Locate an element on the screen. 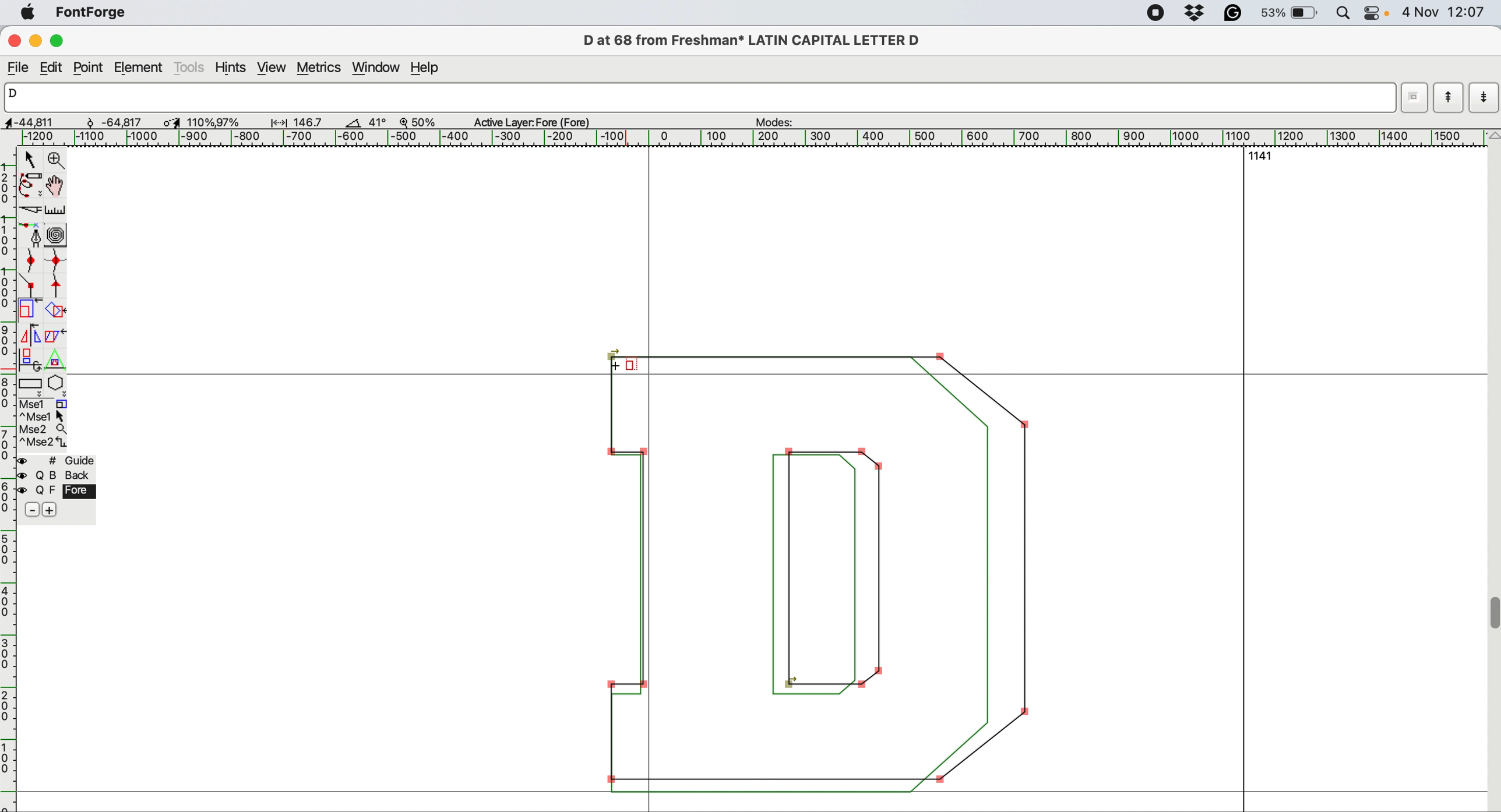 This screenshot has width=1501, height=812. remove is located at coordinates (29, 510).